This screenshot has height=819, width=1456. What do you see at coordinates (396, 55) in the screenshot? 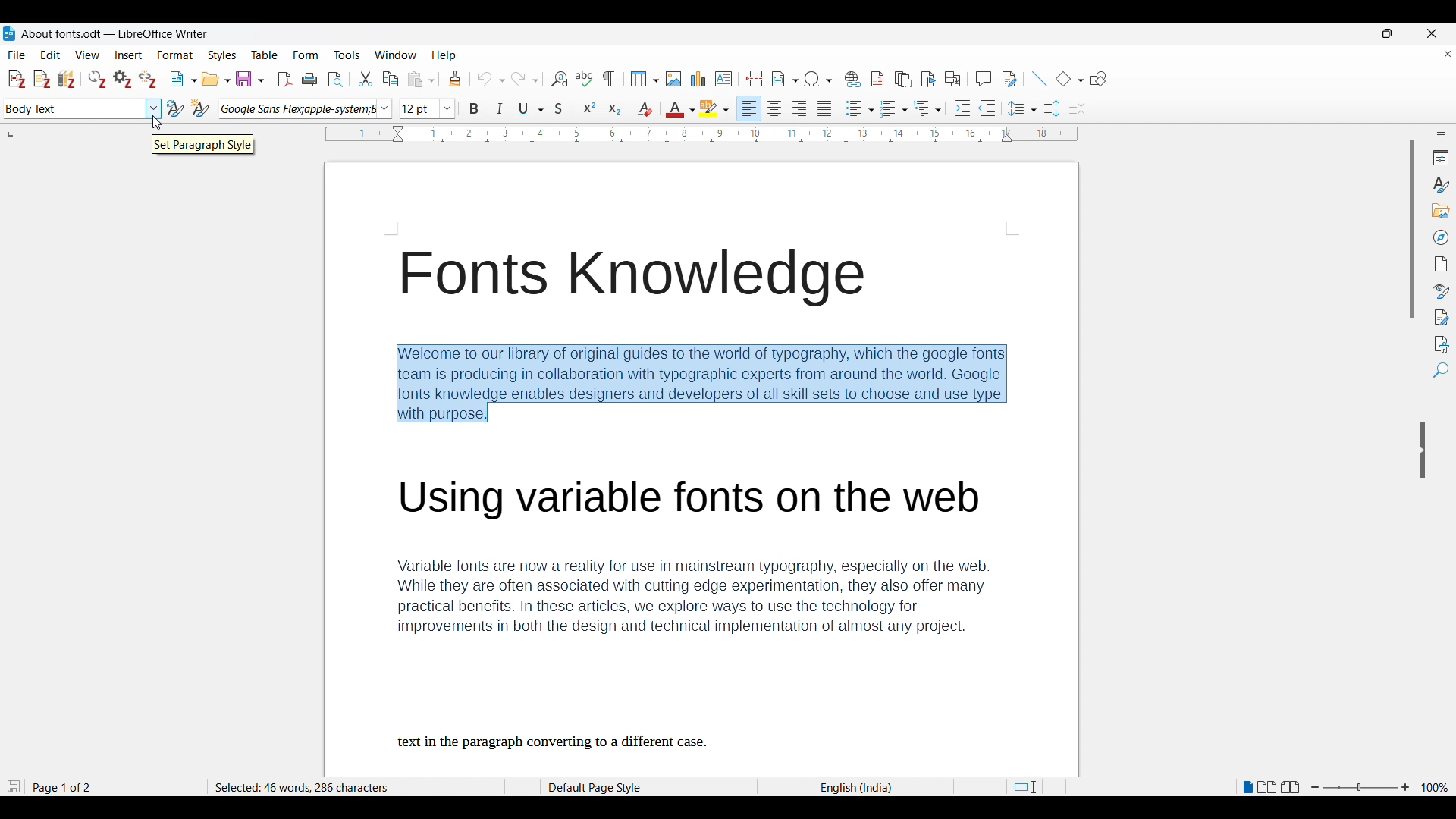
I see `Window options` at bounding box center [396, 55].